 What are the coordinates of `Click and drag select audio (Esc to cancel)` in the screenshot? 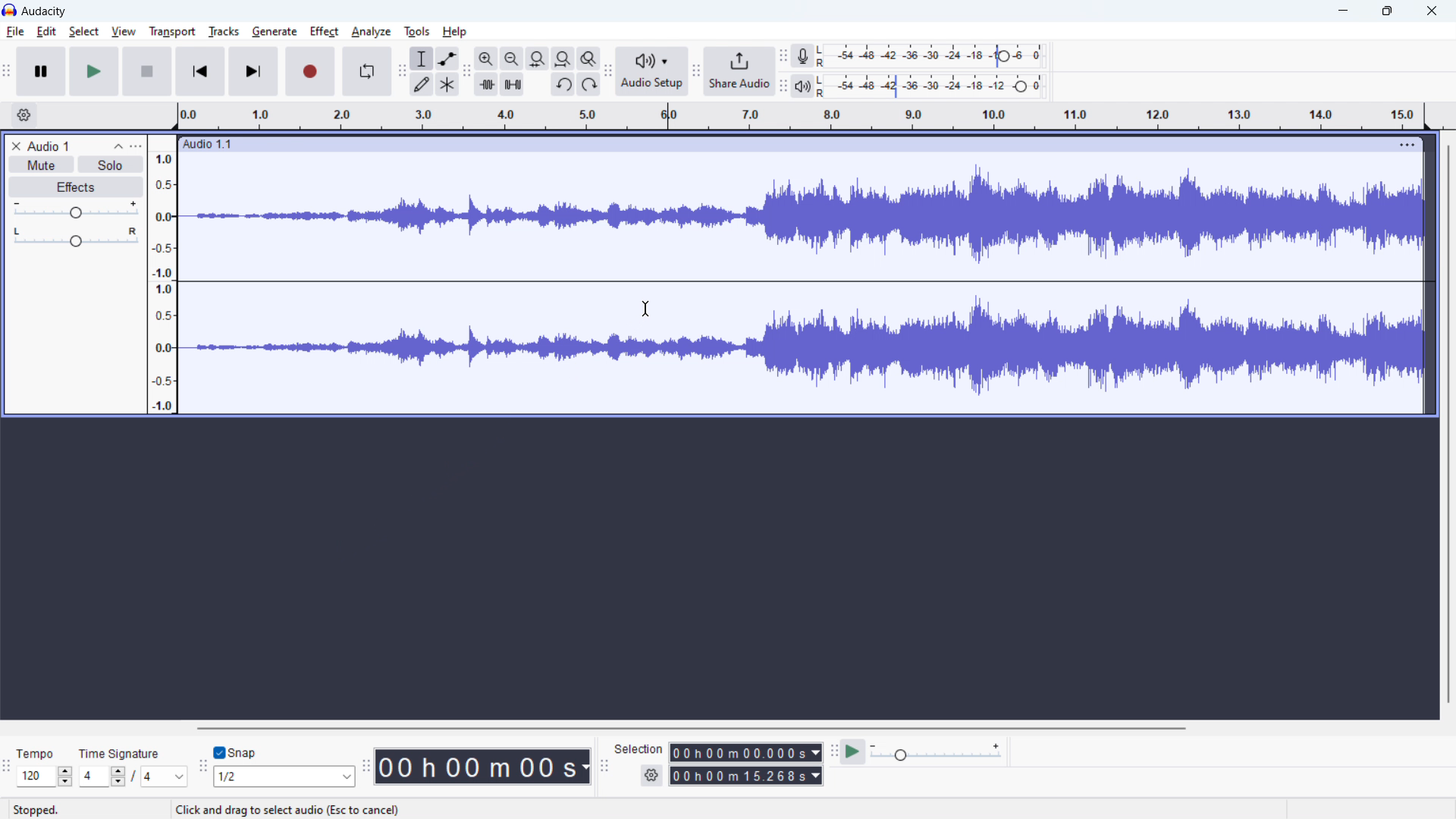 It's located at (288, 808).